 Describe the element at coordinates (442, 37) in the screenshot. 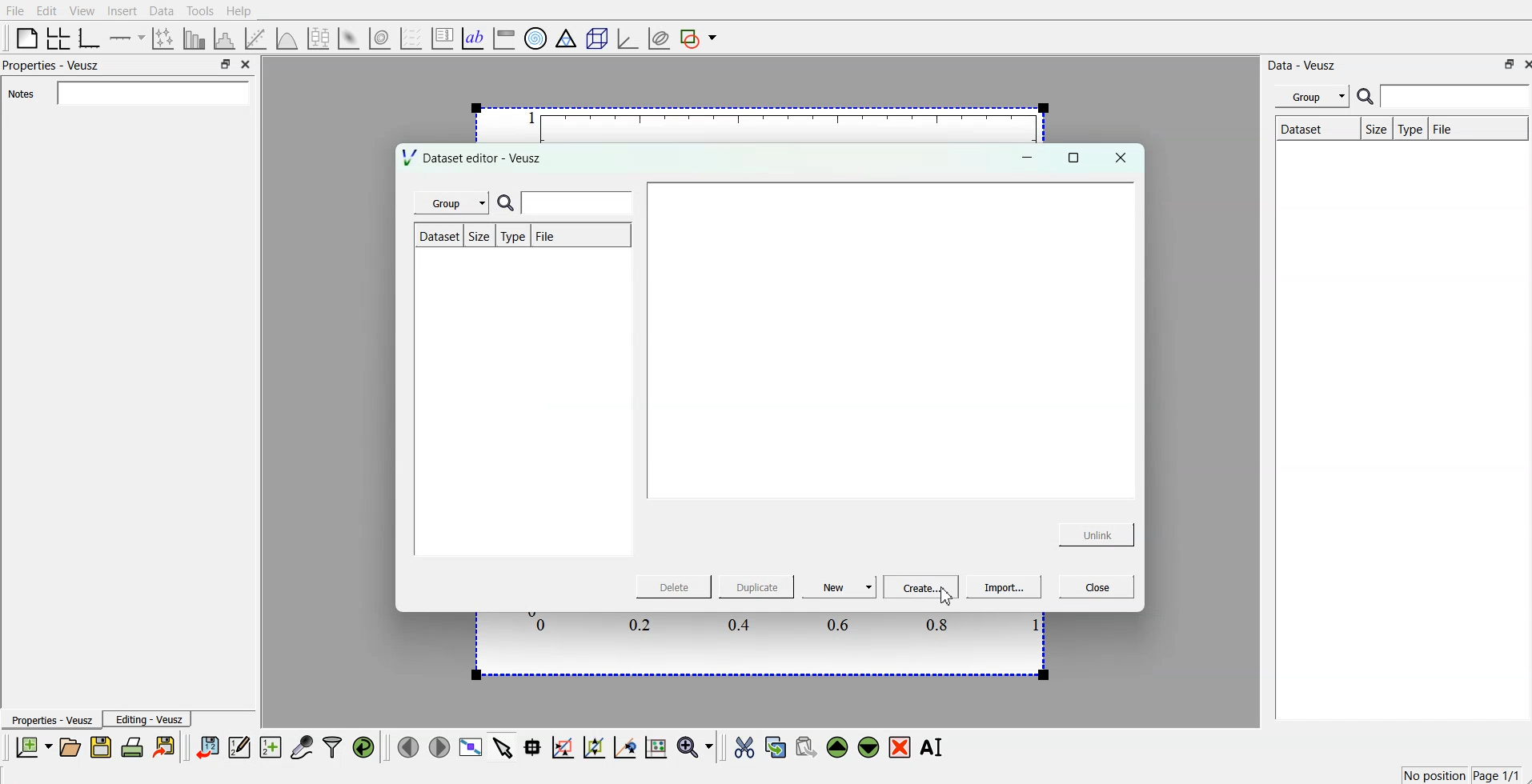

I see `plot key` at that location.